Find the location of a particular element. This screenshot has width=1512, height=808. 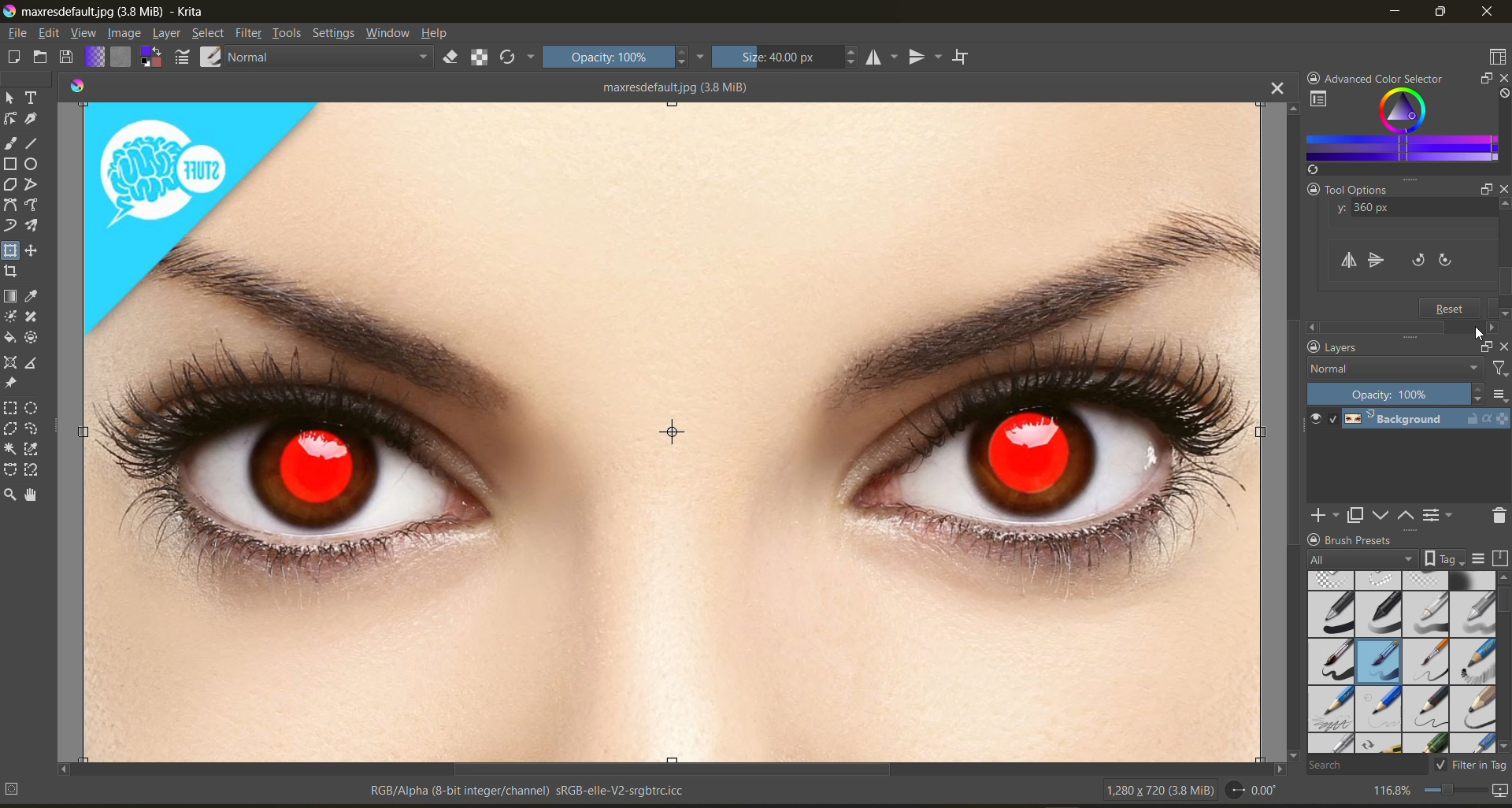

tool is located at coordinates (9, 496).